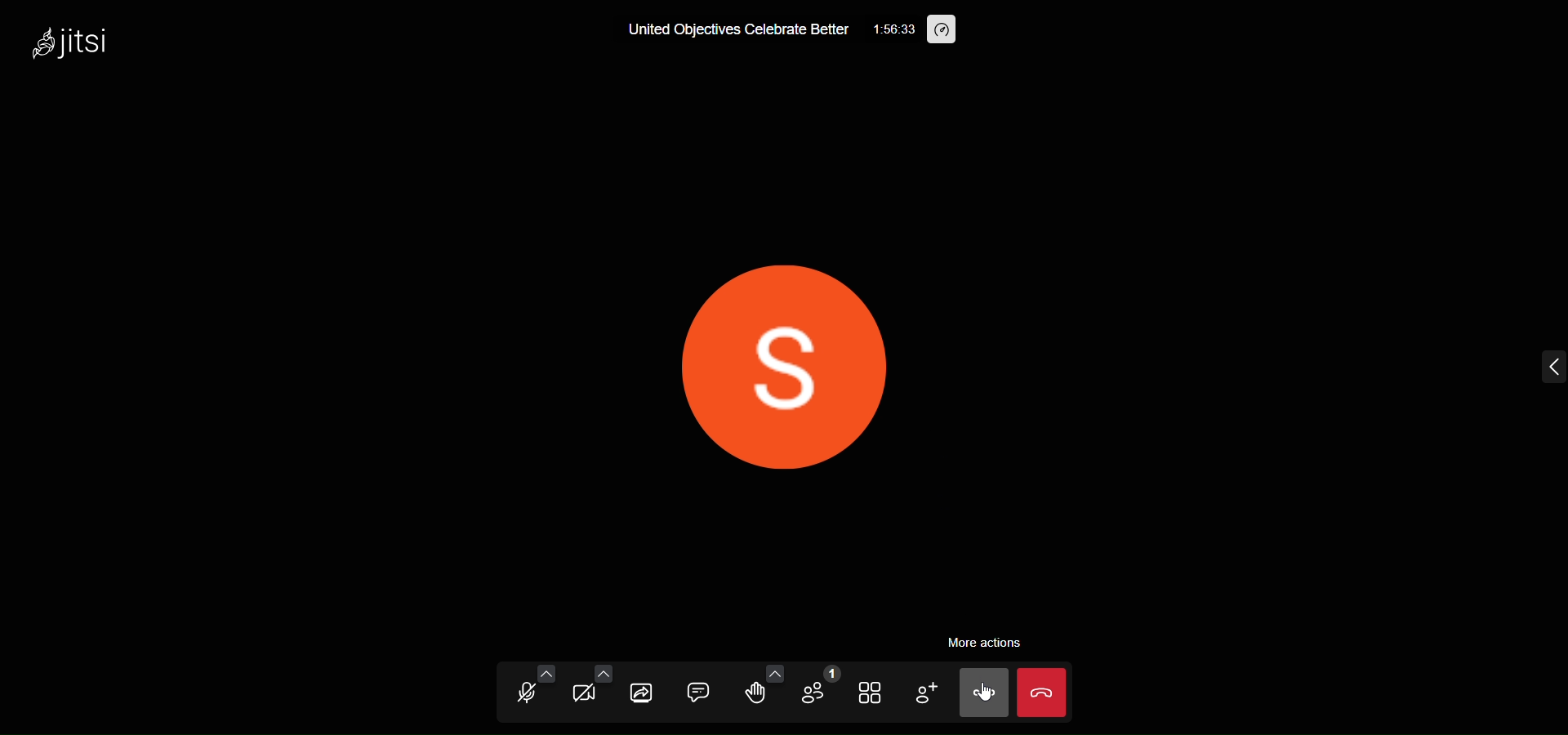  I want to click on camera, so click(585, 696).